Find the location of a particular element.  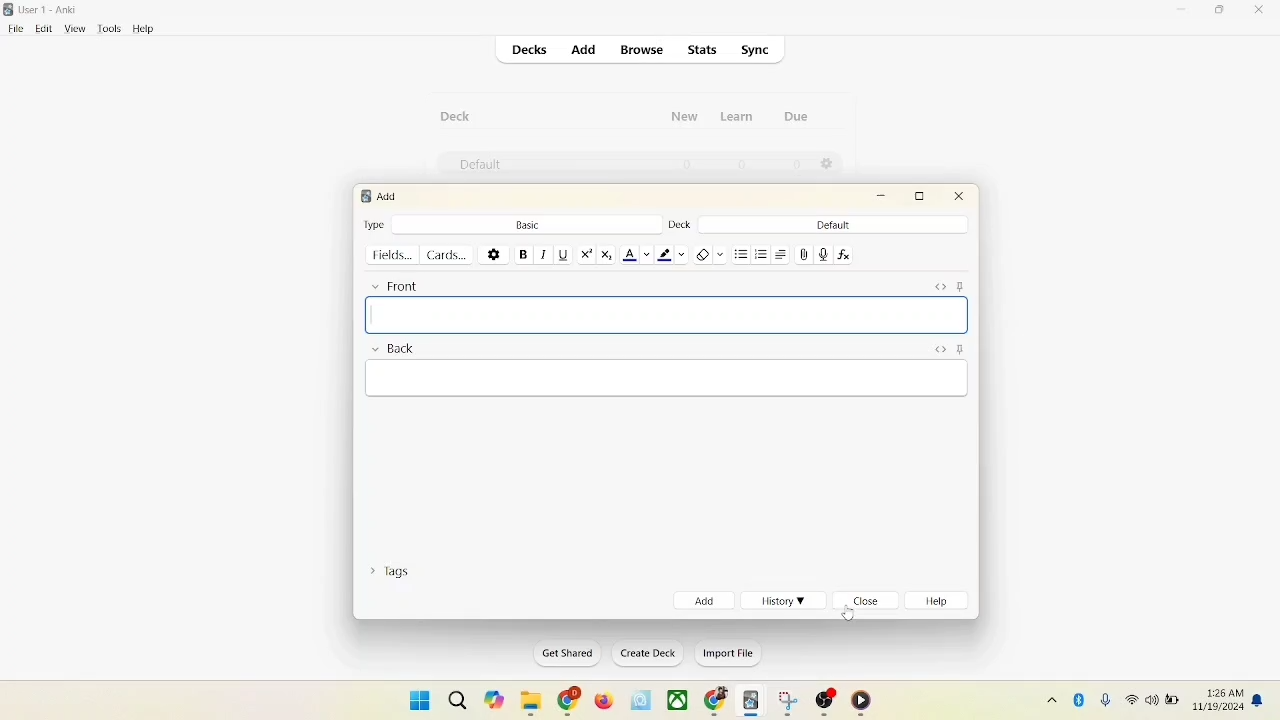

equations is located at coordinates (843, 255).